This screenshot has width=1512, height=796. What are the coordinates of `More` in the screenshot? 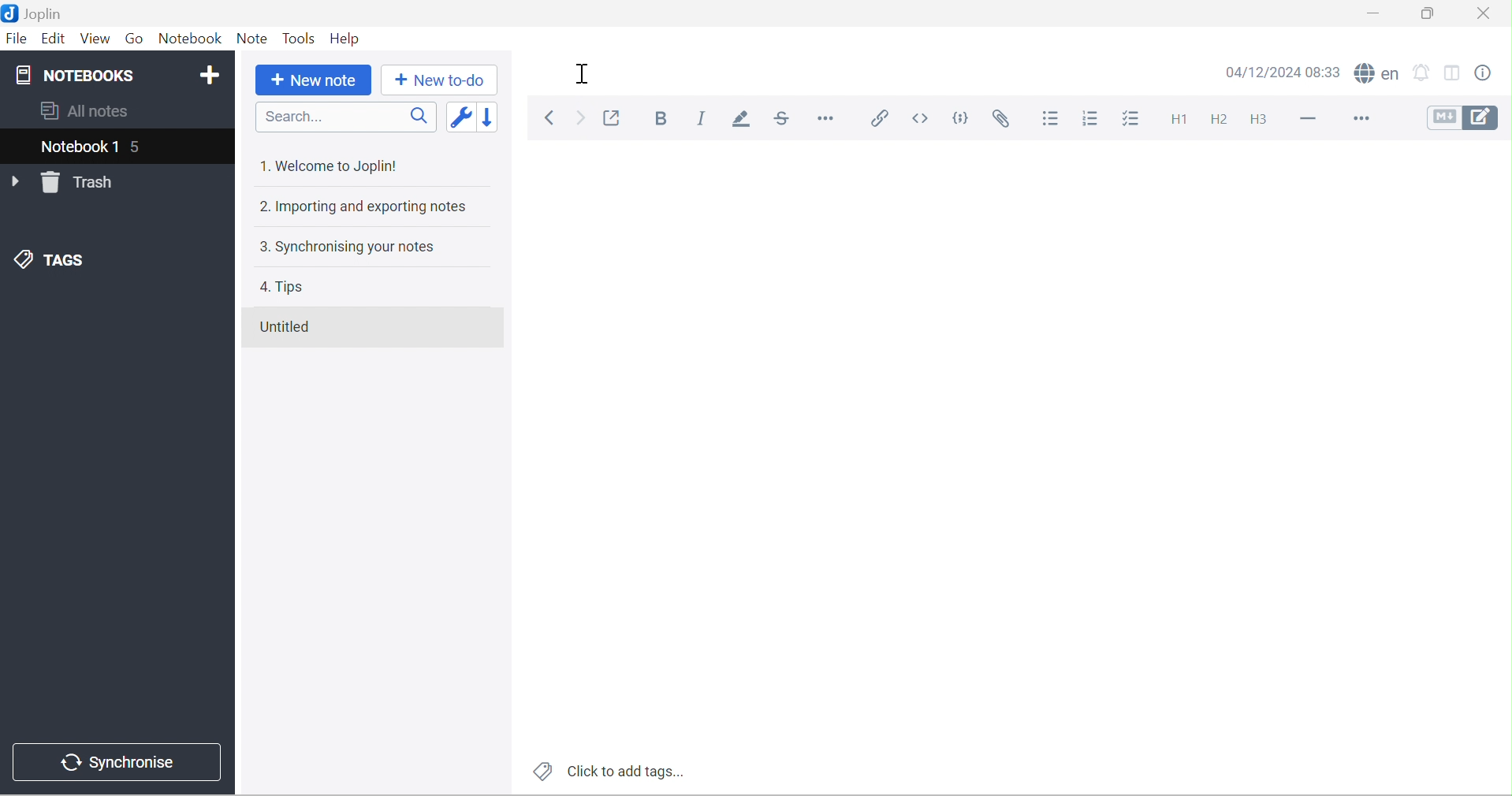 It's located at (1361, 117).